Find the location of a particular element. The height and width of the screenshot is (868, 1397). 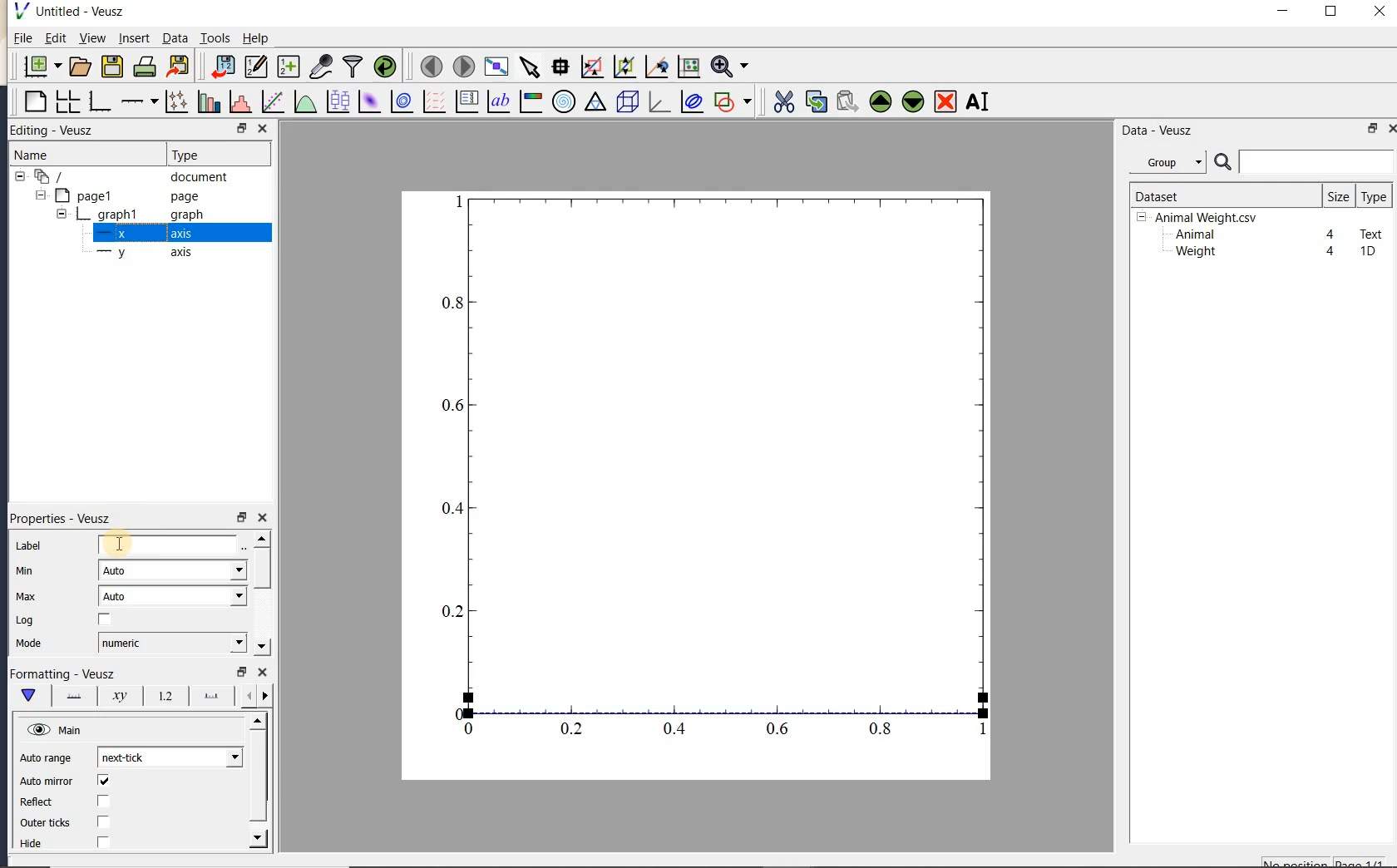

base graph is located at coordinates (98, 101).